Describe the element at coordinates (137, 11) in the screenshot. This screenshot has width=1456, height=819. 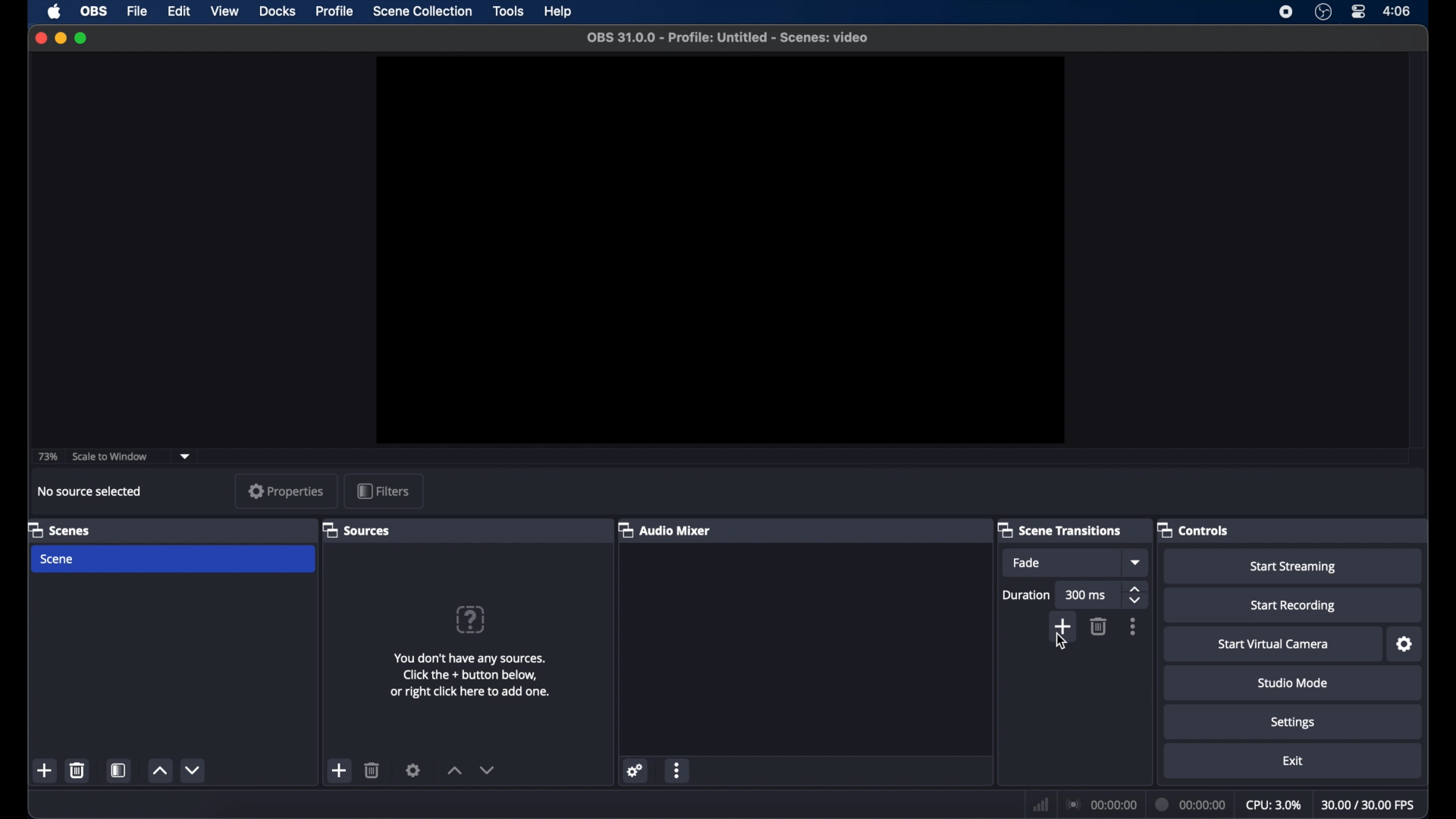
I see `file` at that location.